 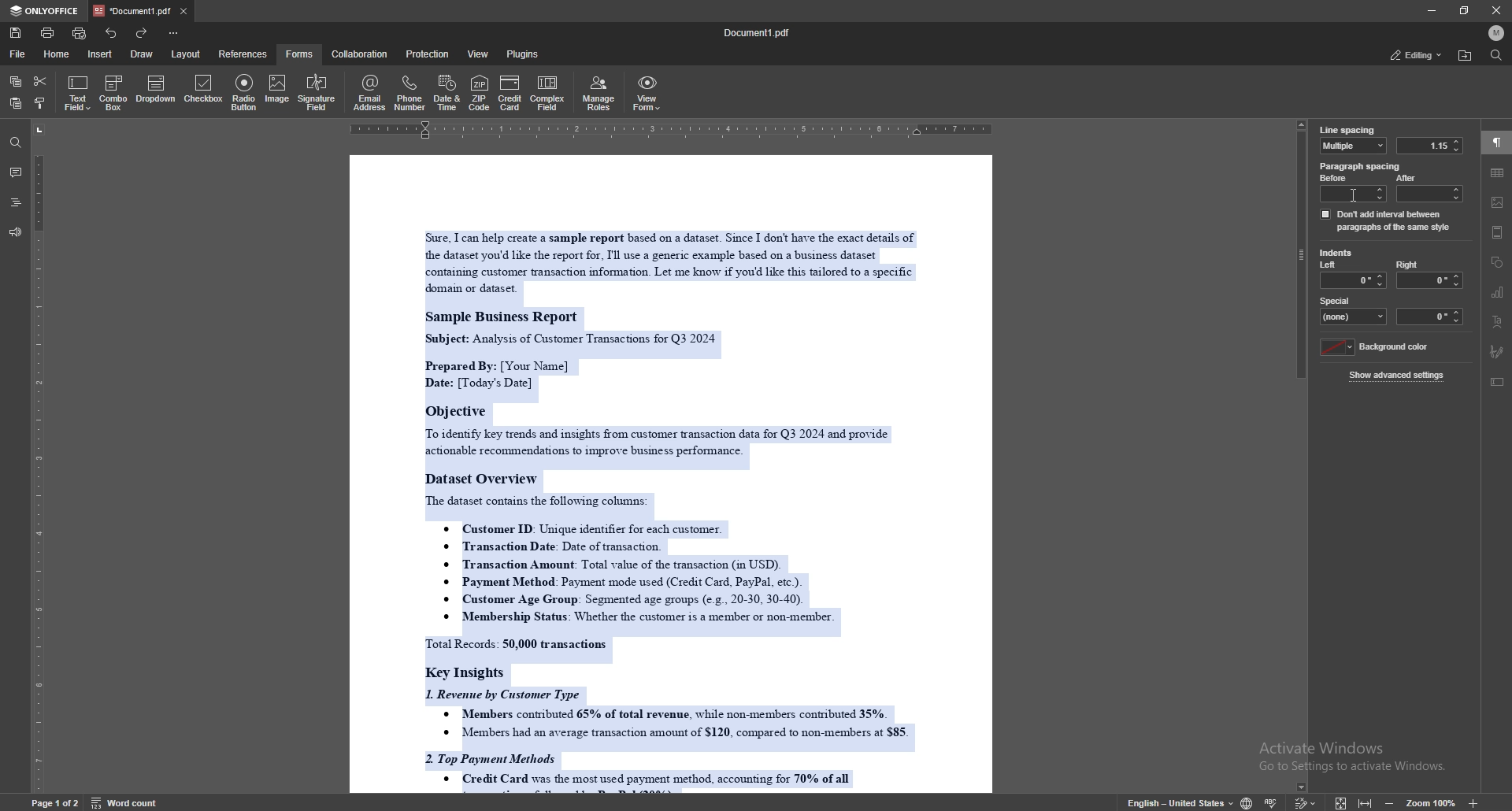 I want to click on collaboration, so click(x=361, y=54).